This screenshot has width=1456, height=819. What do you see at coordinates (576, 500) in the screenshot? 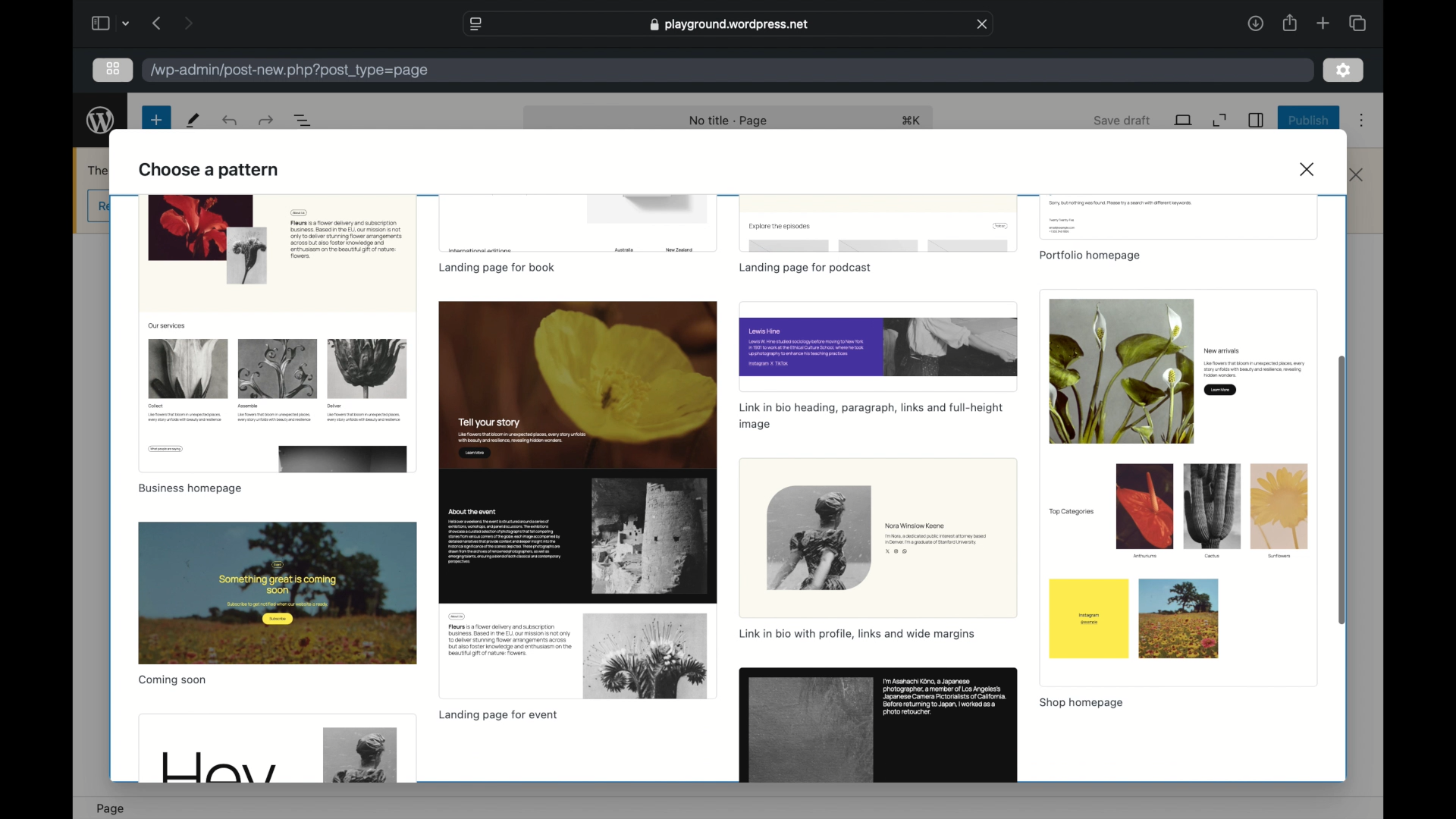
I see `preview` at bounding box center [576, 500].